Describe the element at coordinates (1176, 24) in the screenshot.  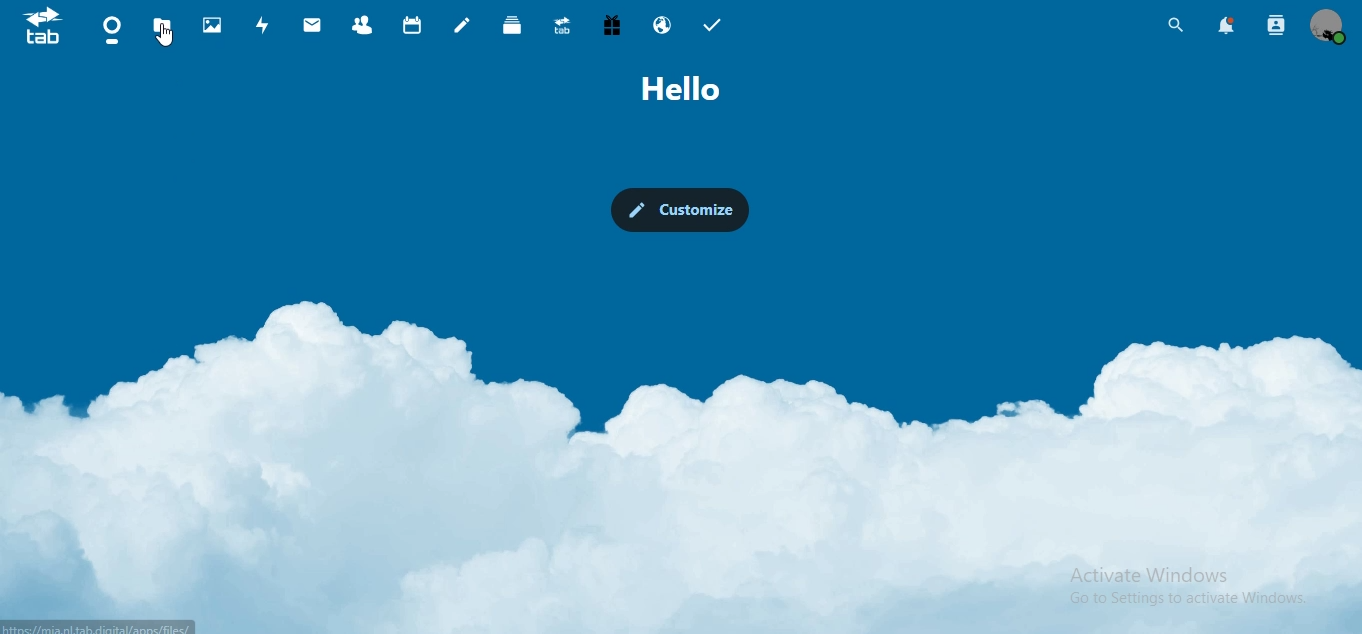
I see `search` at that location.